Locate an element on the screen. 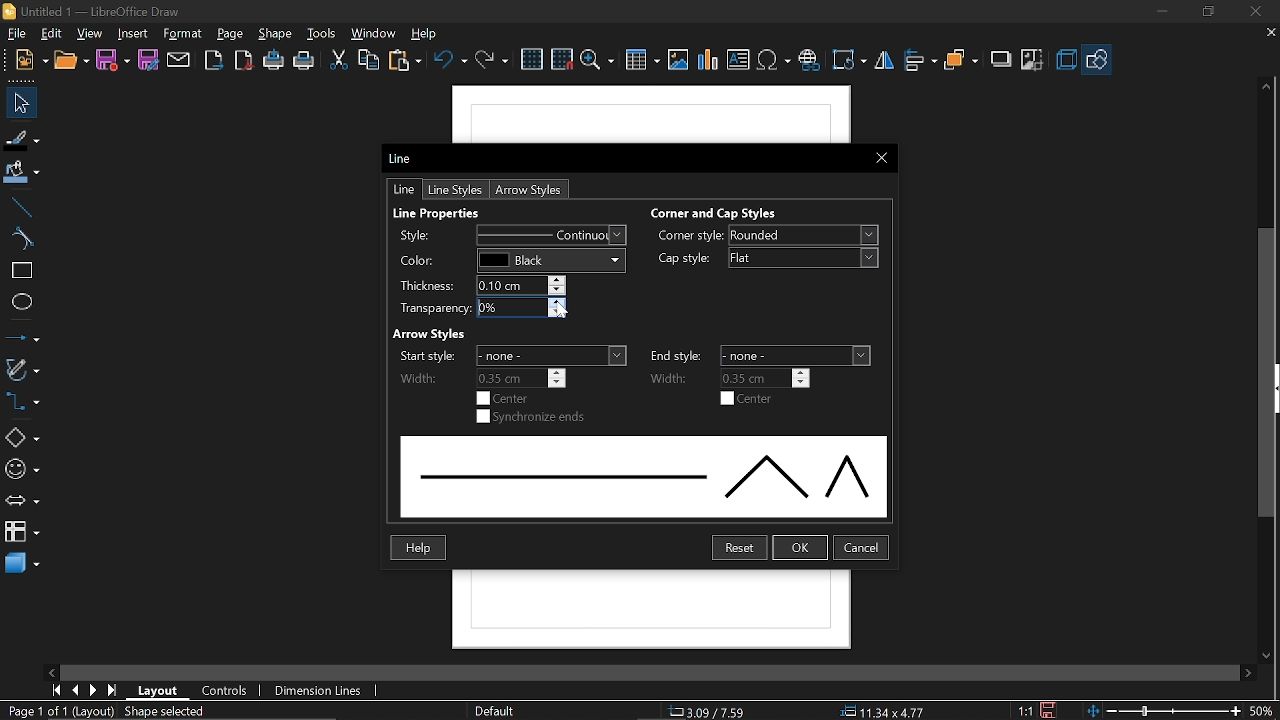 Image resolution: width=1280 pixels, height=720 pixels. go to first page is located at coordinates (54, 691).